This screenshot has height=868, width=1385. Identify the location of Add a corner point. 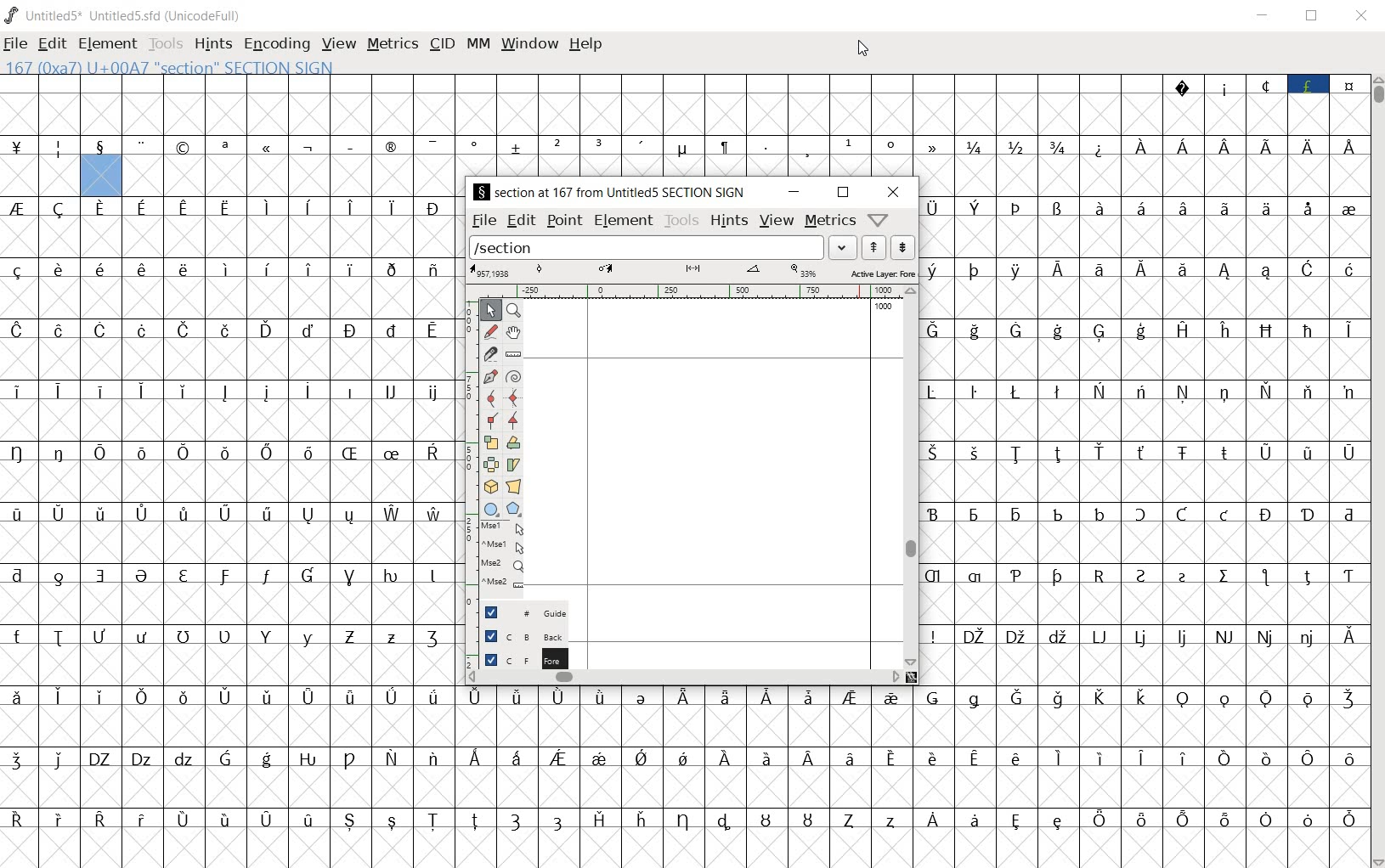
(512, 420).